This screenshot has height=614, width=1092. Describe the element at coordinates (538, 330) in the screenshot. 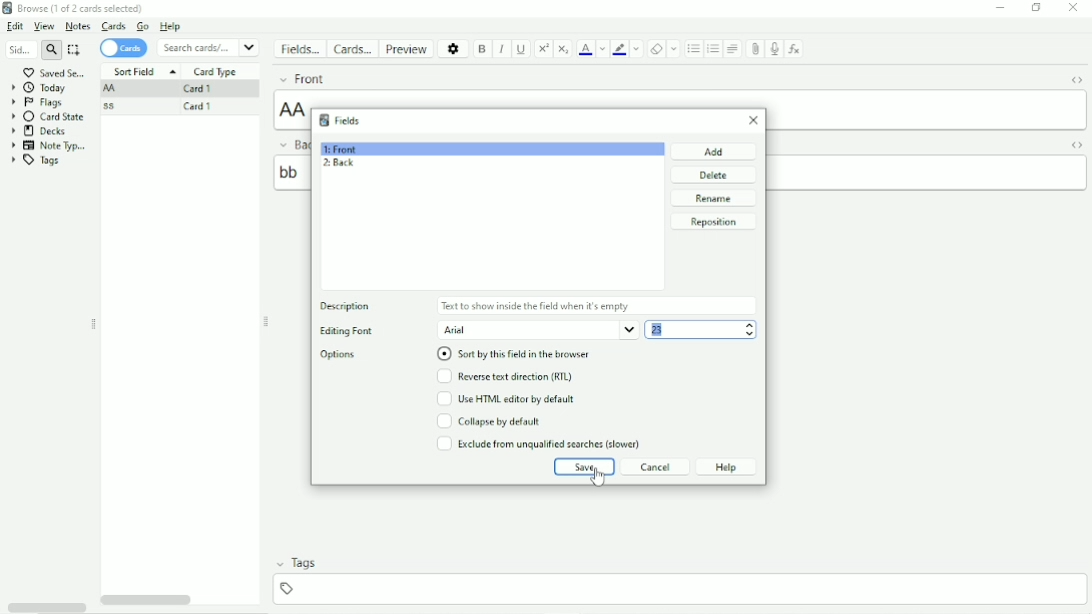

I see `Font style` at that location.